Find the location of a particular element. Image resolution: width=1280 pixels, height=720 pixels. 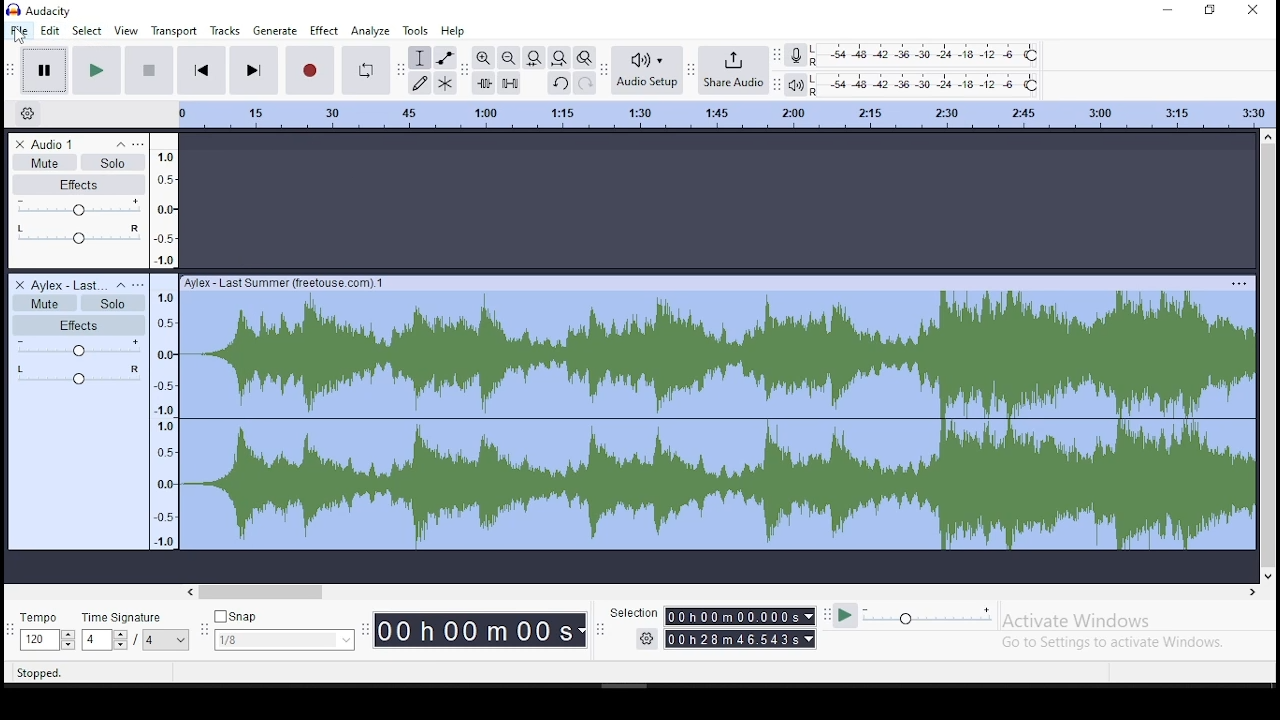

scroll bar is located at coordinates (1267, 355).